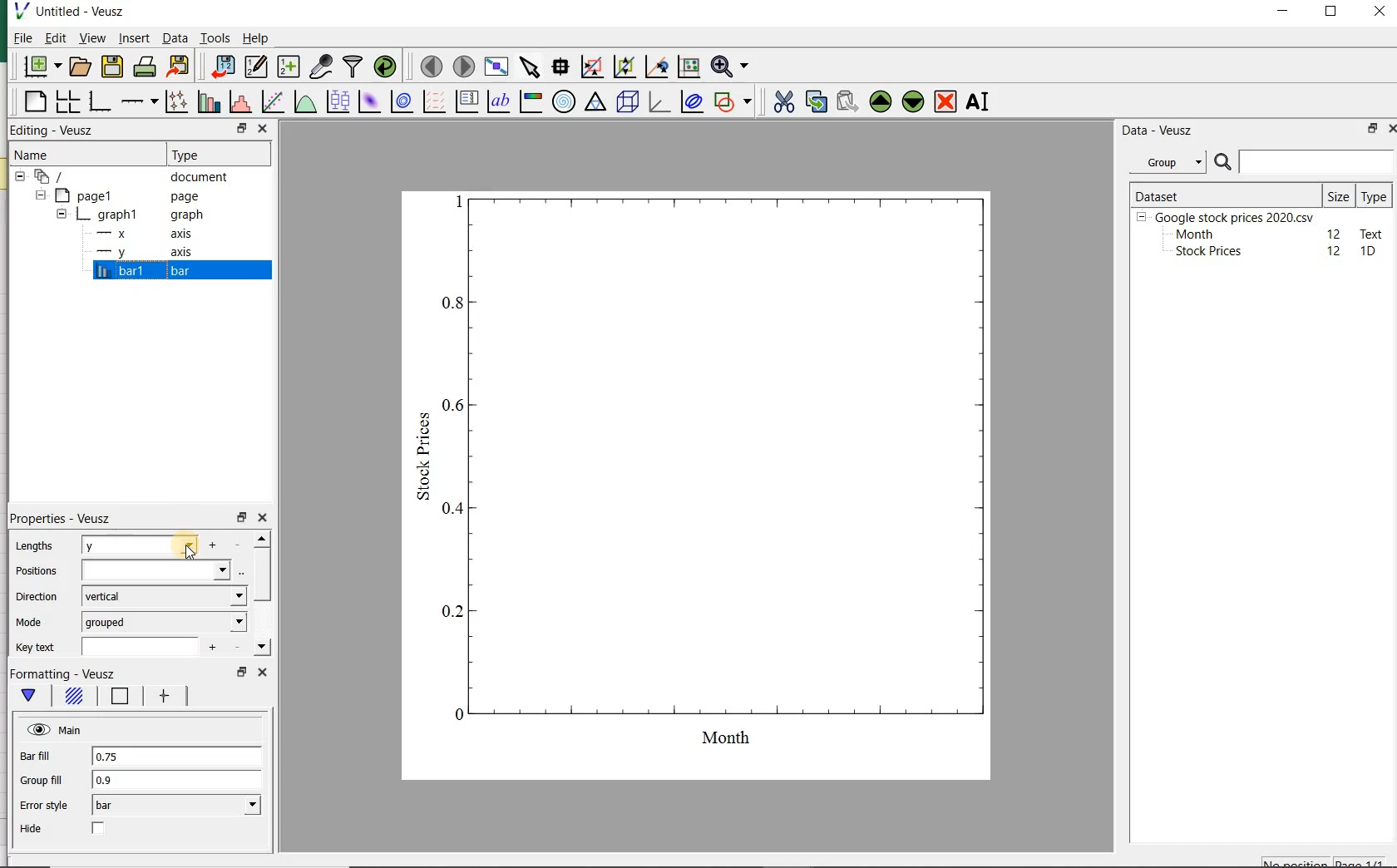 The height and width of the screenshot is (868, 1397). What do you see at coordinates (32, 547) in the screenshot?
I see `Lengths` at bounding box center [32, 547].